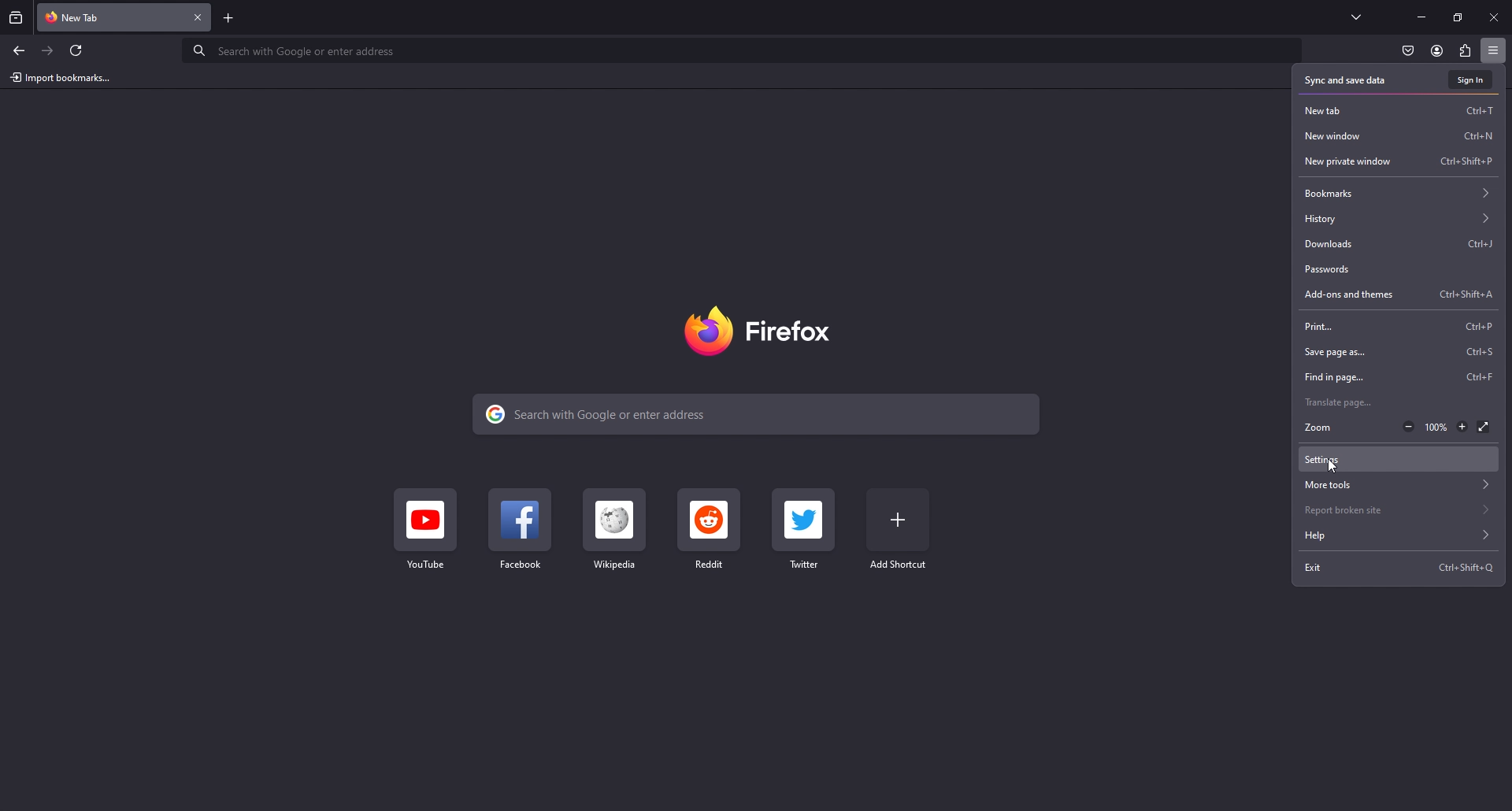 The image size is (1512, 811). Describe the element at coordinates (1421, 16) in the screenshot. I see `minimize` at that location.